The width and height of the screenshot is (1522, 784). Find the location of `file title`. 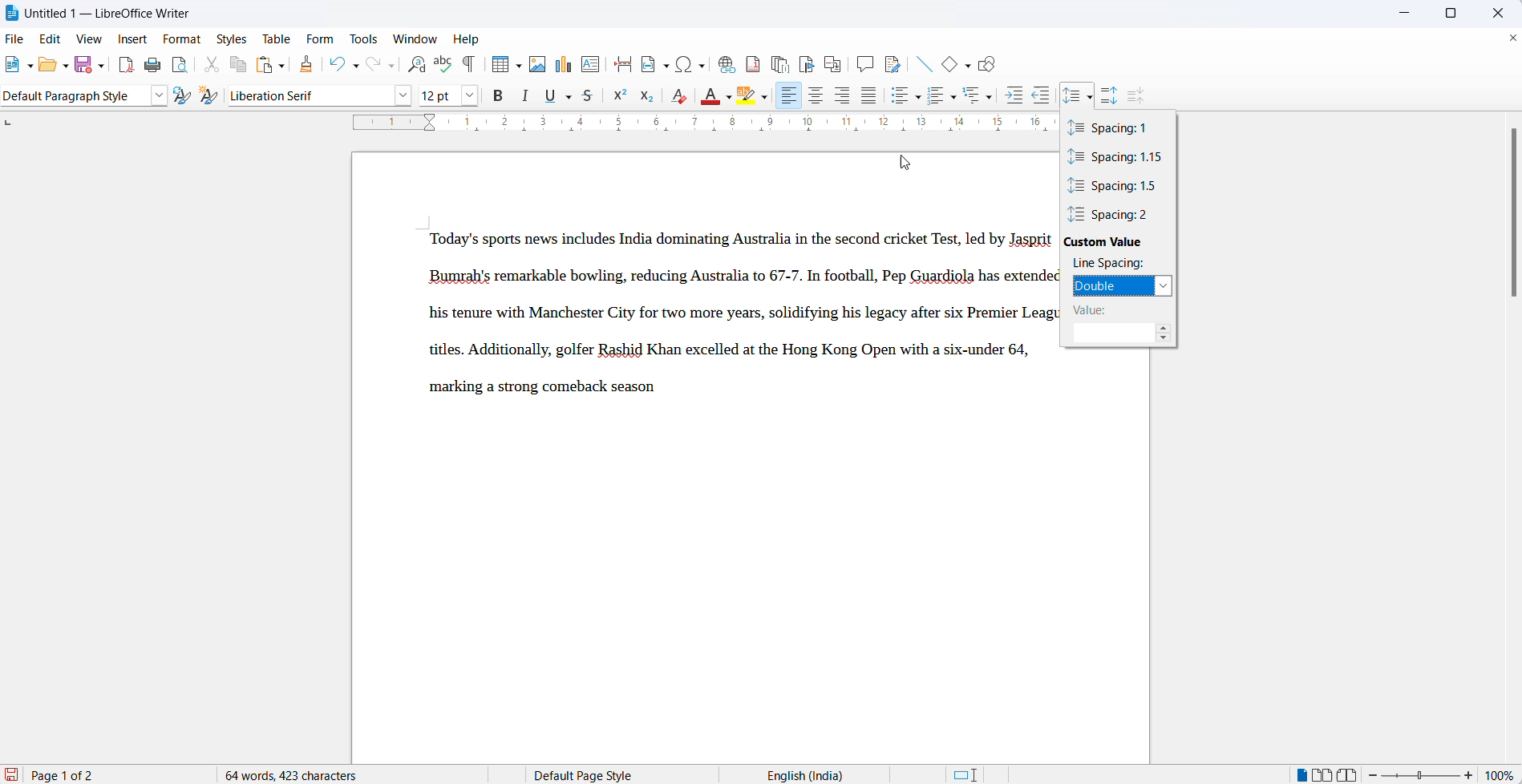

file title is located at coordinates (99, 12).